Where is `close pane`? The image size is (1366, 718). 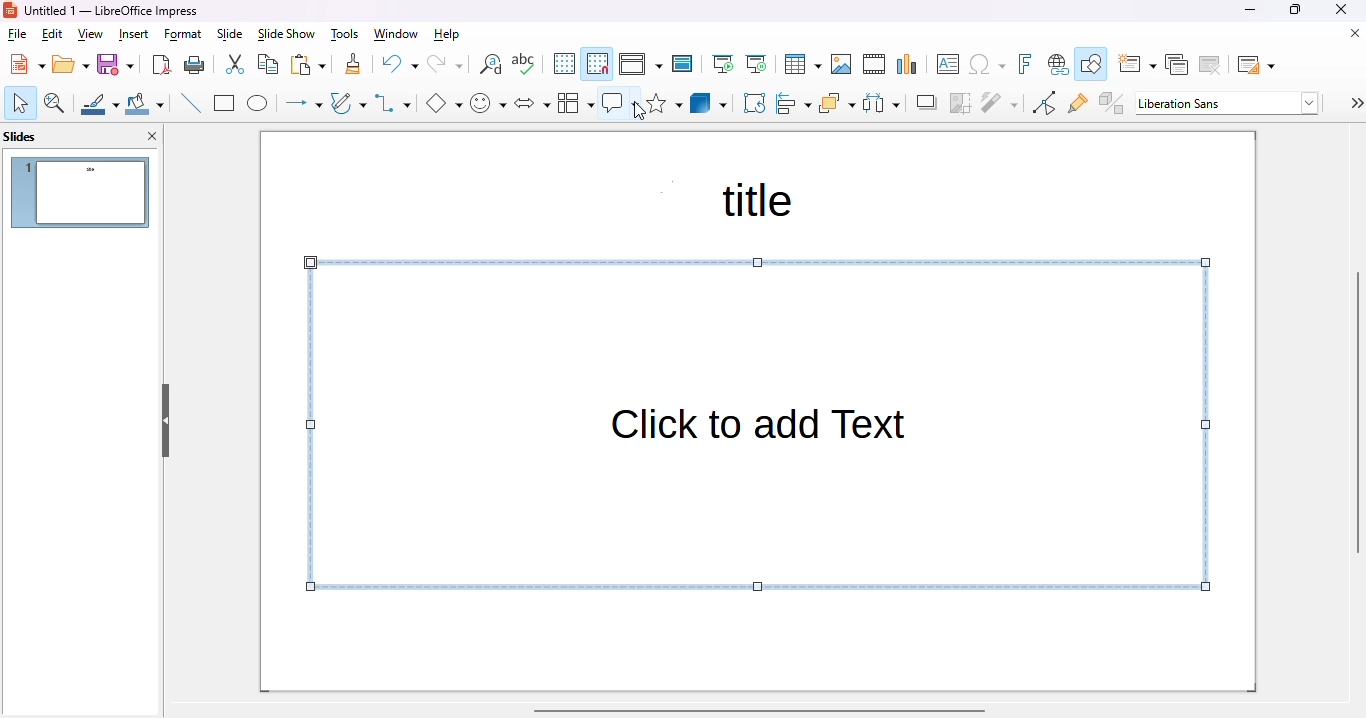 close pane is located at coordinates (153, 135).